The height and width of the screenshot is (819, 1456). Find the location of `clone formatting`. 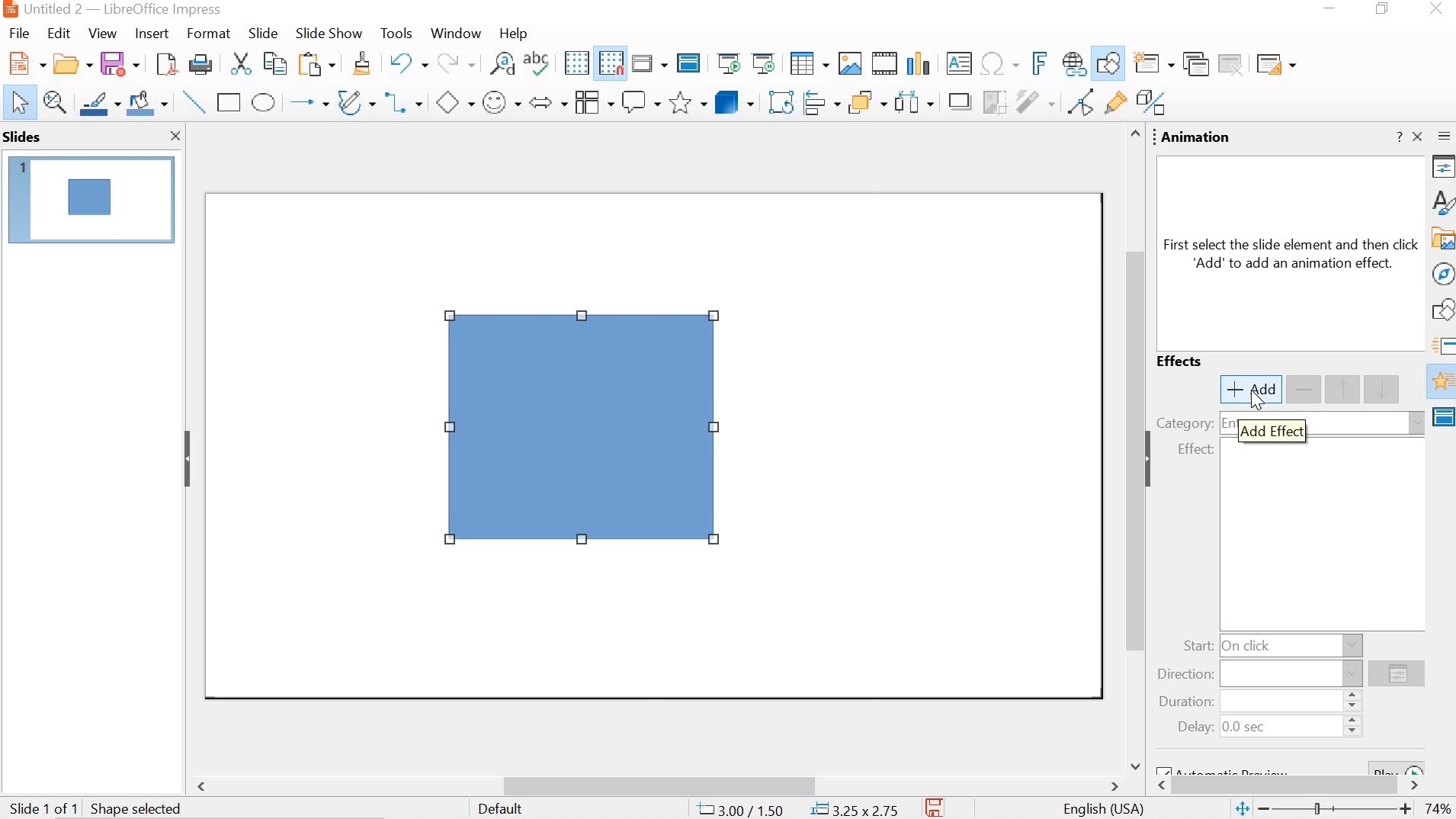

clone formatting is located at coordinates (361, 64).